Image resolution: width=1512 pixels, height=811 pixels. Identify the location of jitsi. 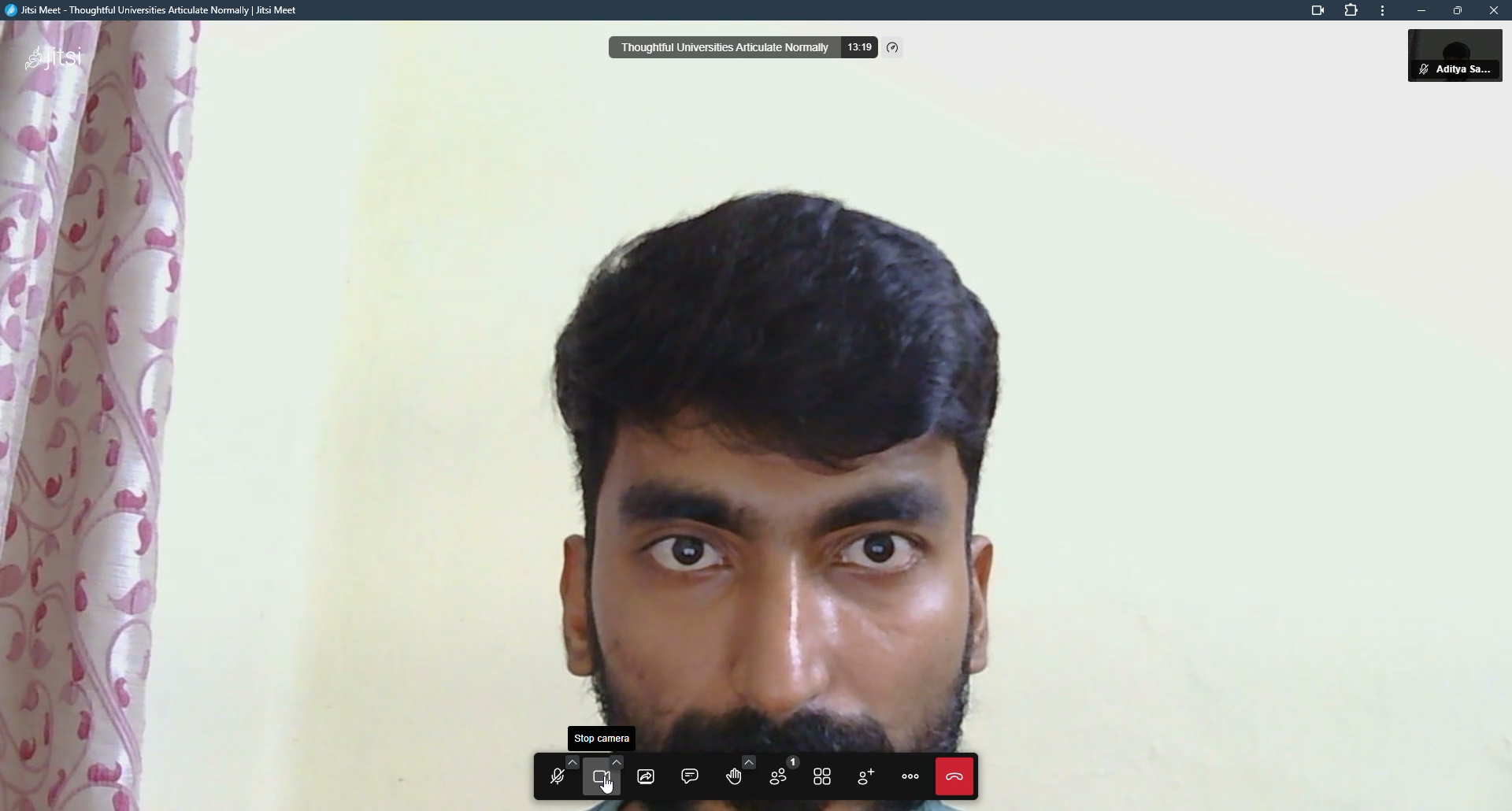
(60, 55).